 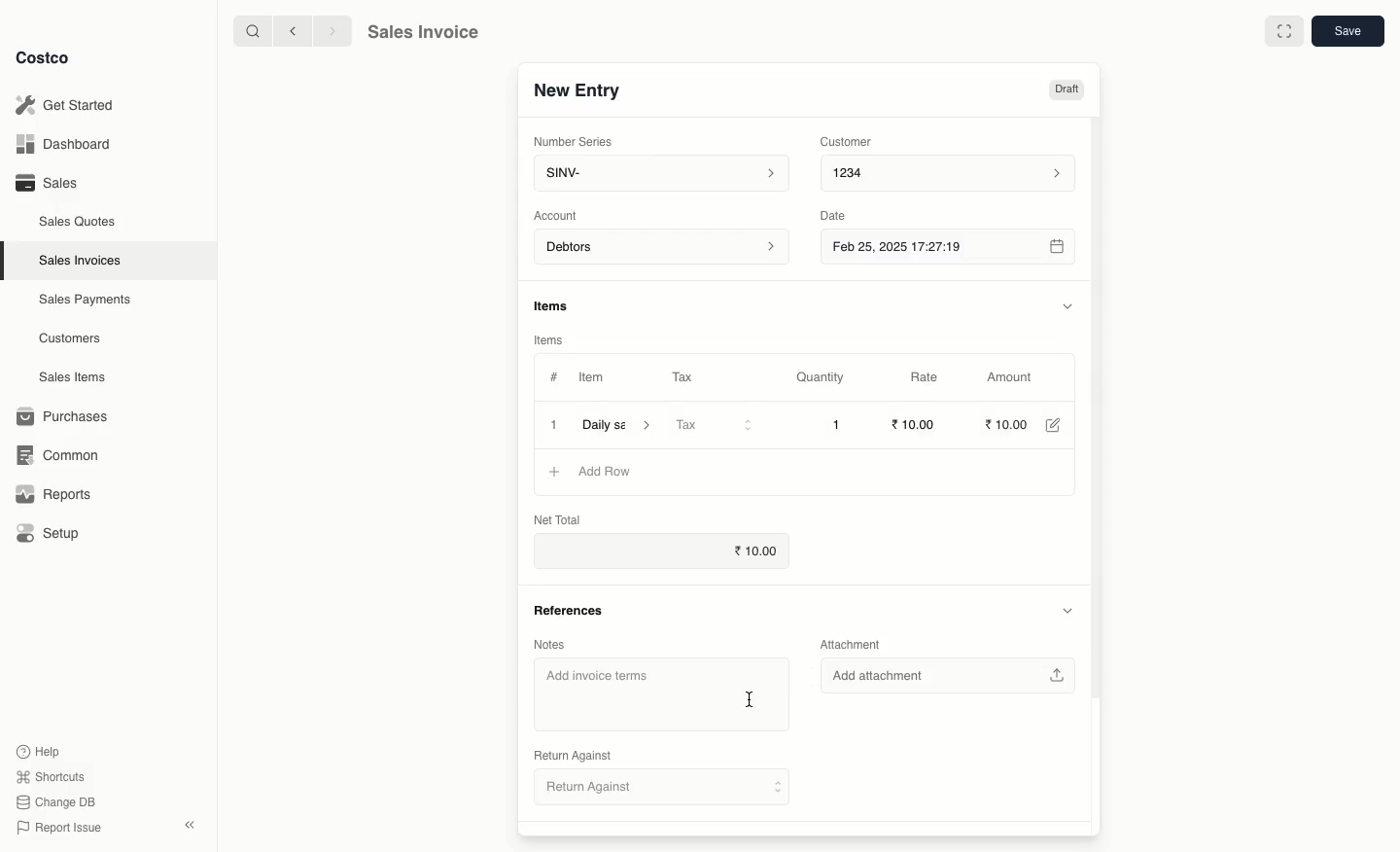 What do you see at coordinates (949, 675) in the screenshot?
I see `Add attachment` at bounding box center [949, 675].